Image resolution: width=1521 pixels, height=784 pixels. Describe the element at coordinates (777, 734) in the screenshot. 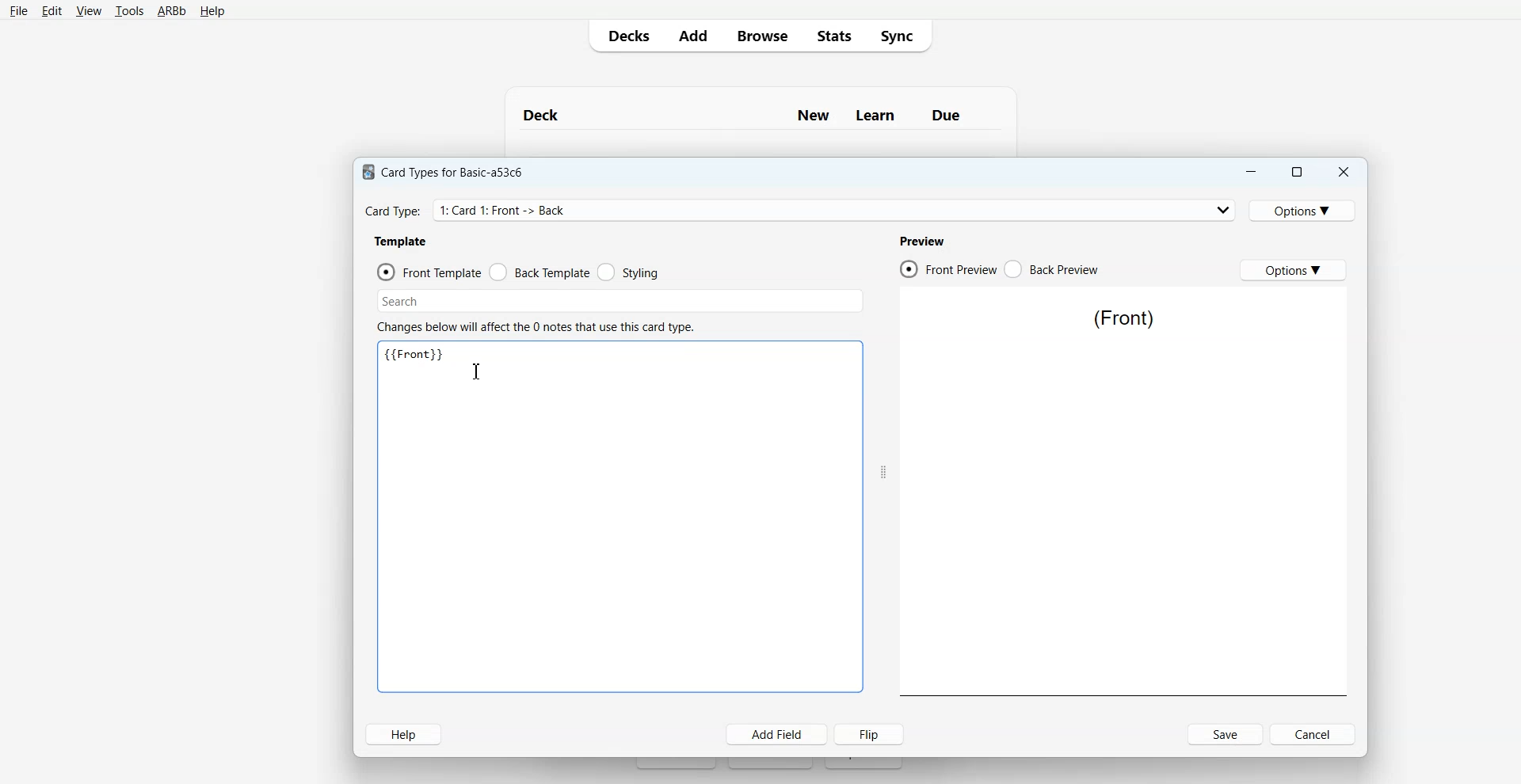

I see `Add Field` at that location.